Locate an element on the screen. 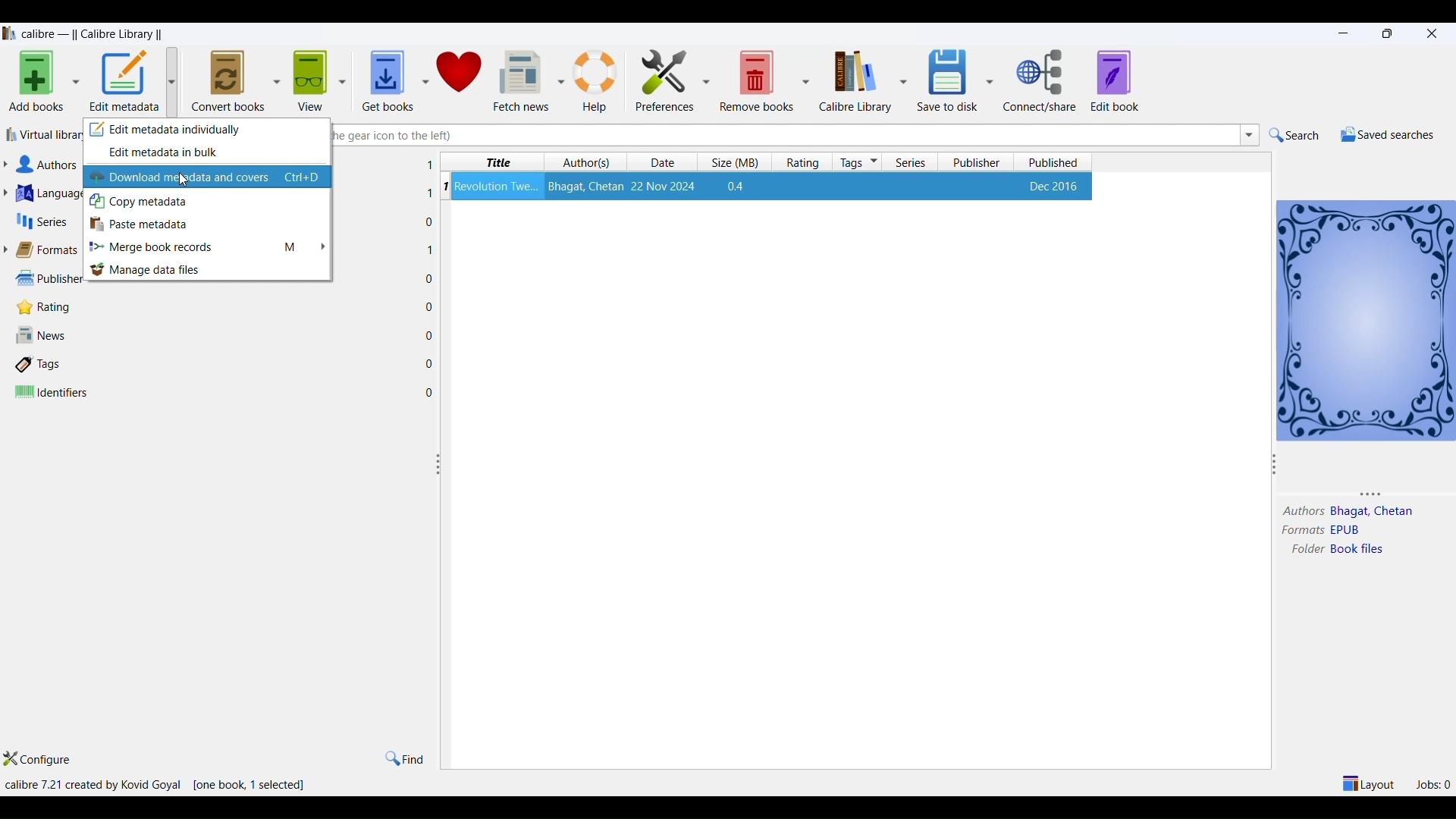  1 is located at coordinates (431, 250).